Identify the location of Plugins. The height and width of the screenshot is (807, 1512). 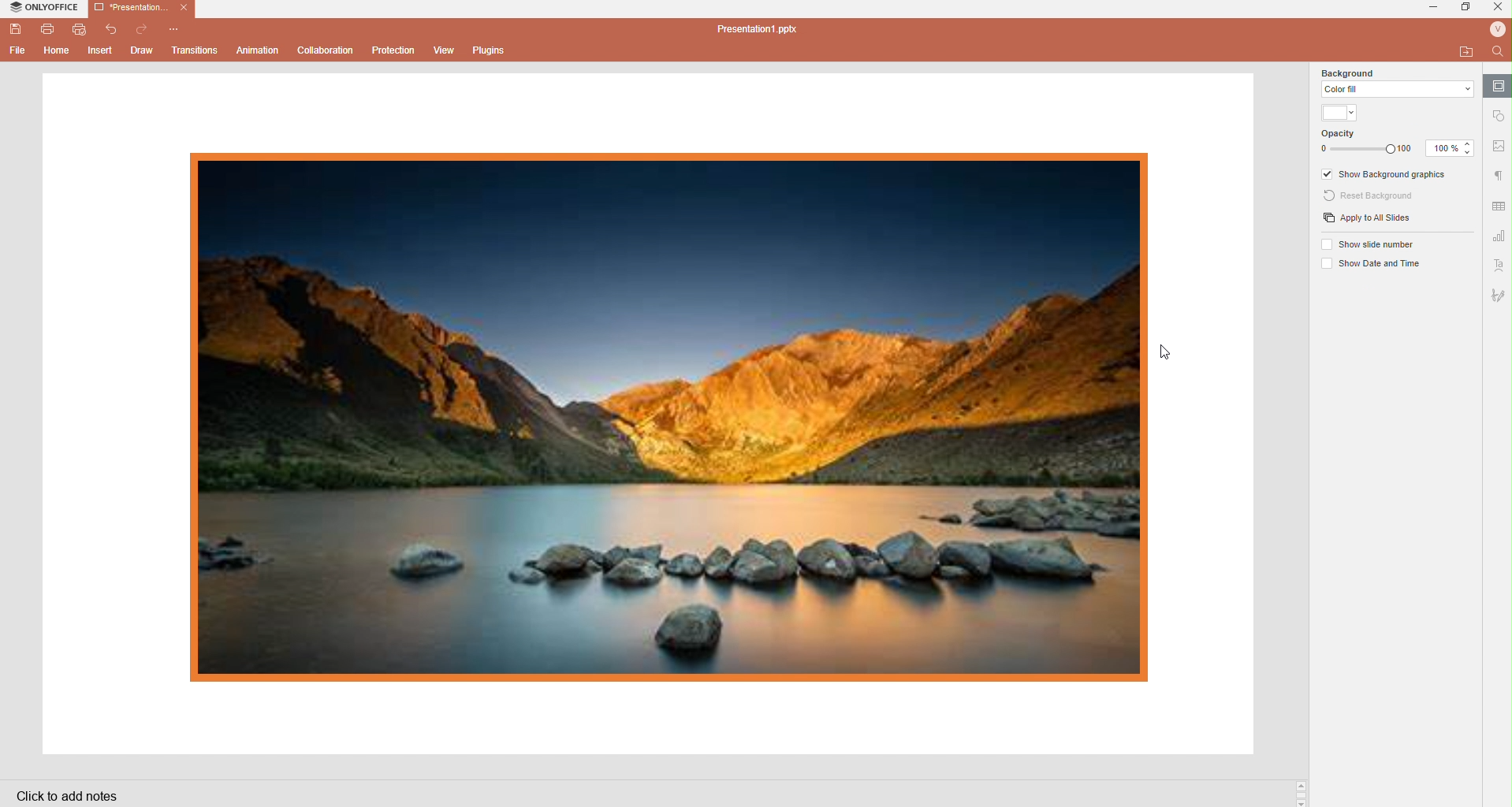
(489, 50).